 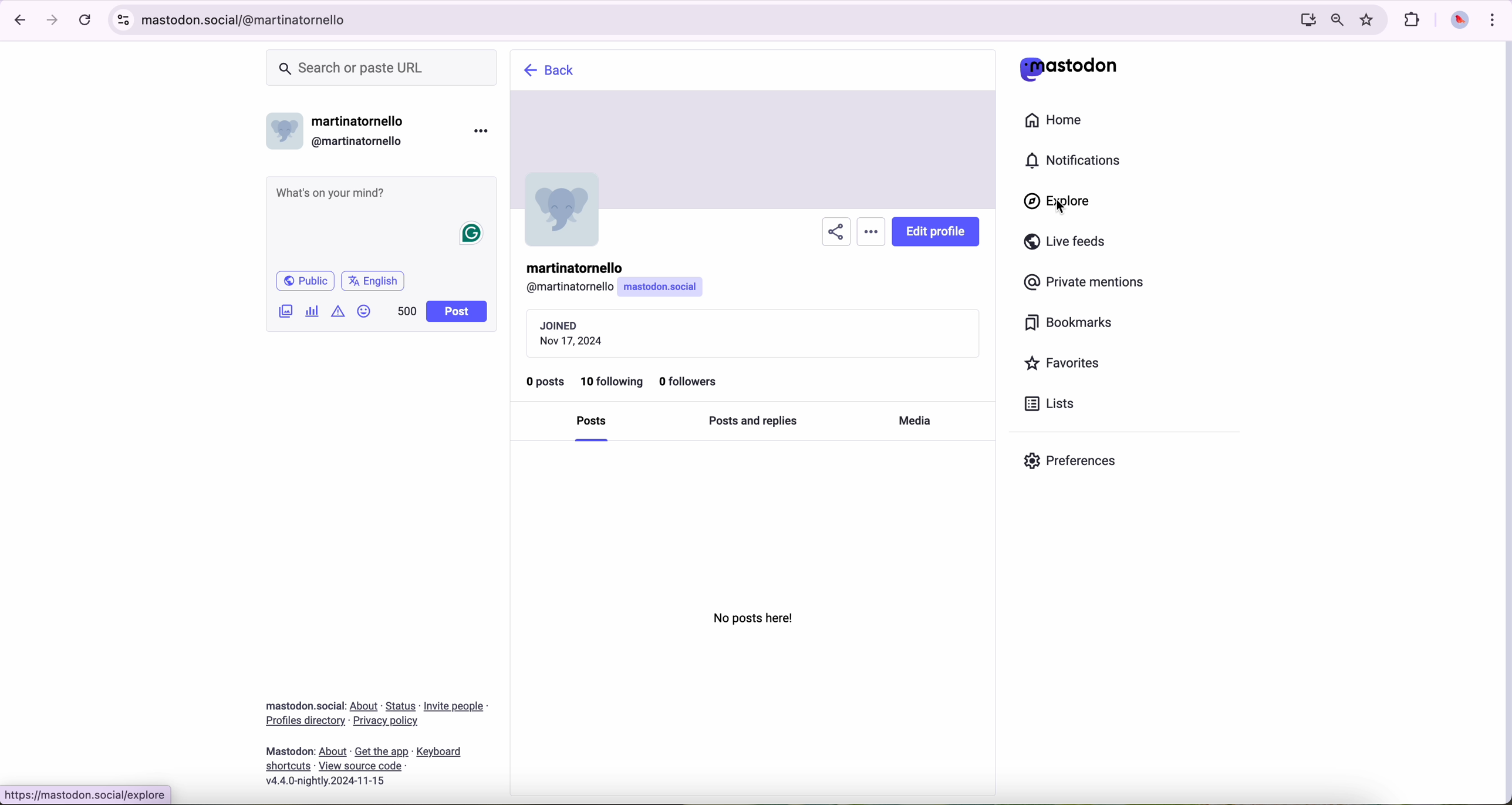 I want to click on edit profile, so click(x=936, y=231).